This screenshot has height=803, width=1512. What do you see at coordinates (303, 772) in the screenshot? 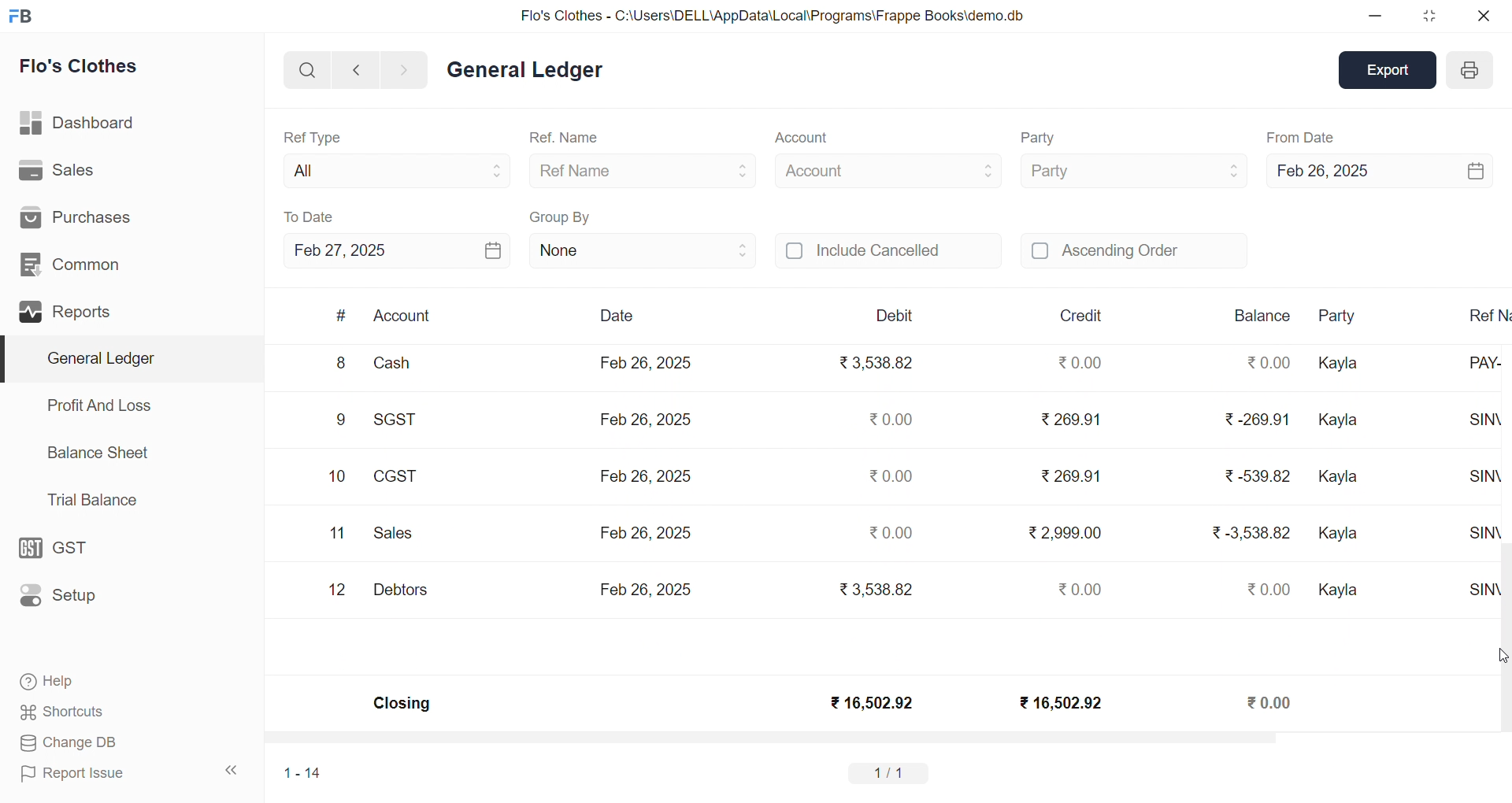
I see `1-14` at bounding box center [303, 772].